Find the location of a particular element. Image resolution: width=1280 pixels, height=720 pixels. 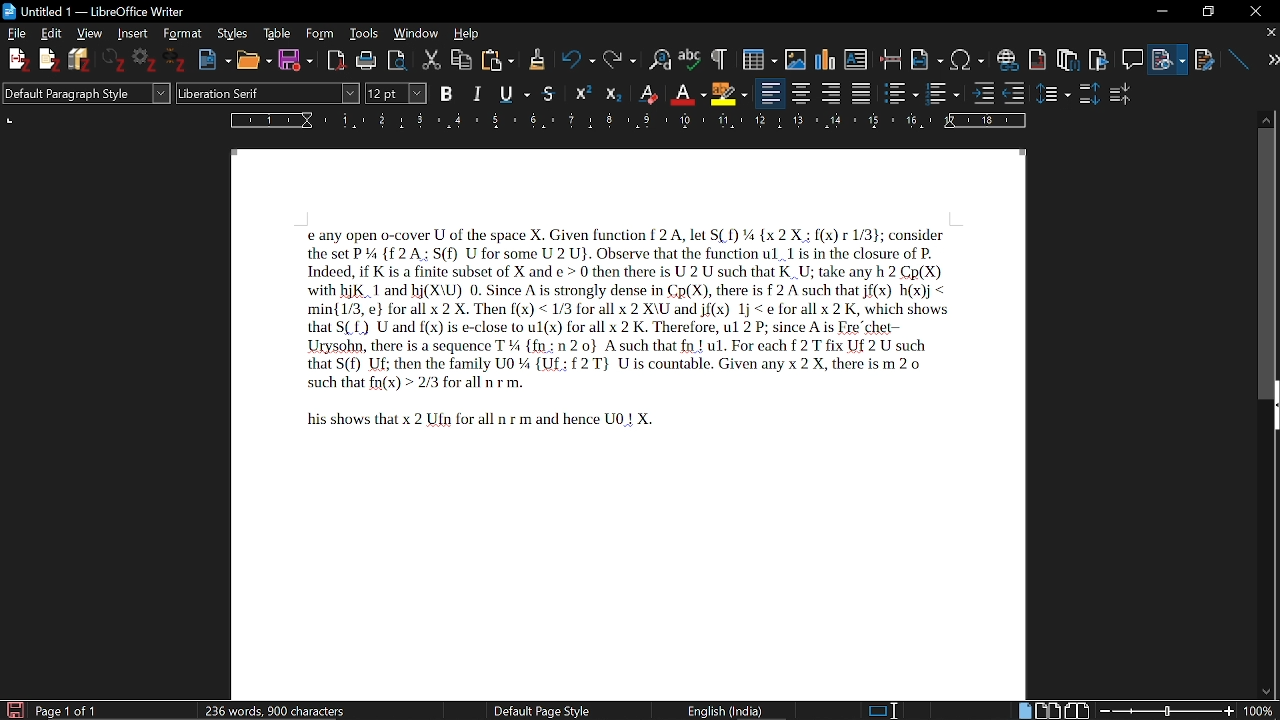

 is located at coordinates (983, 92).